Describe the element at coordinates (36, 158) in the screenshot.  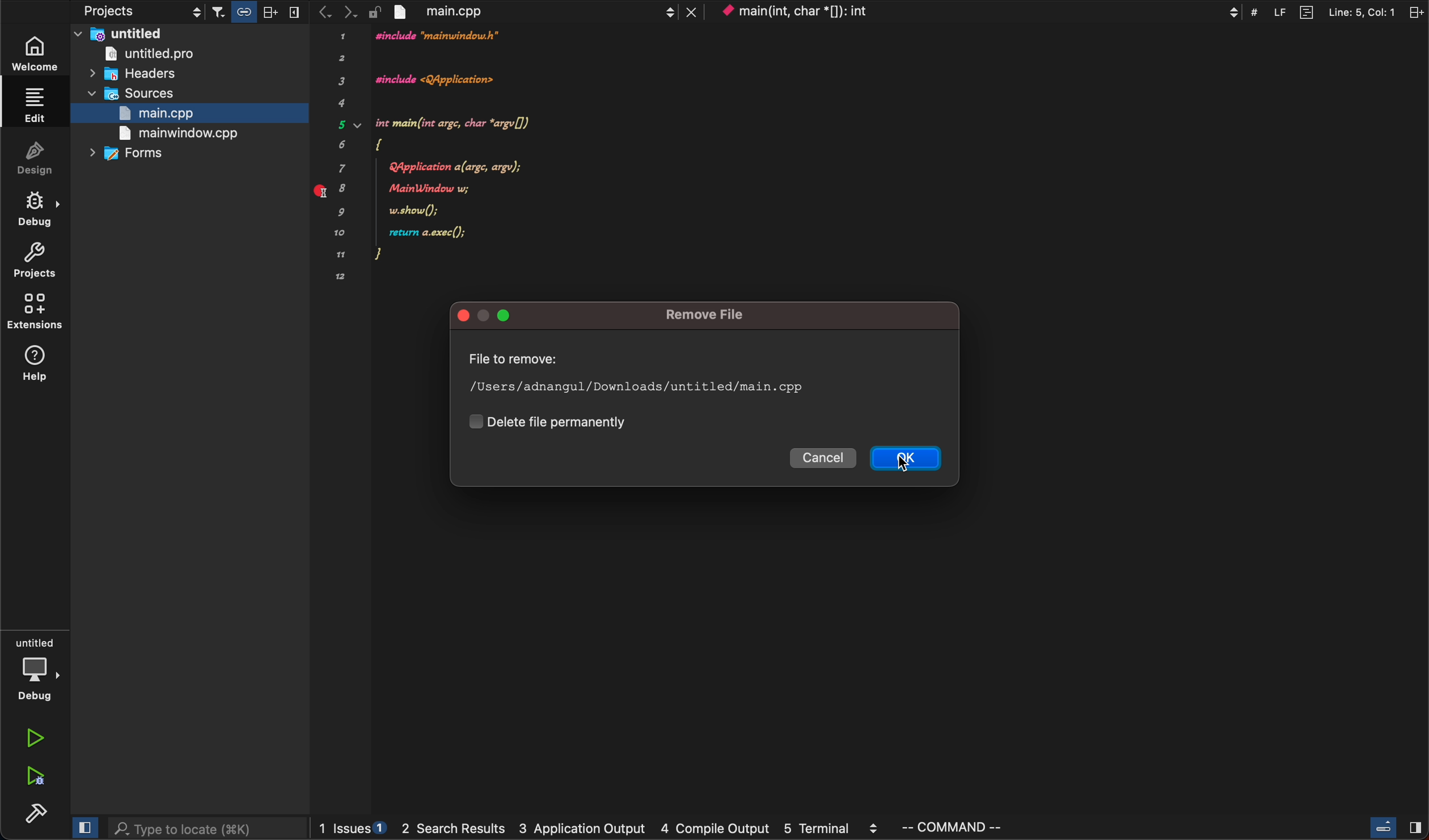
I see `design` at that location.